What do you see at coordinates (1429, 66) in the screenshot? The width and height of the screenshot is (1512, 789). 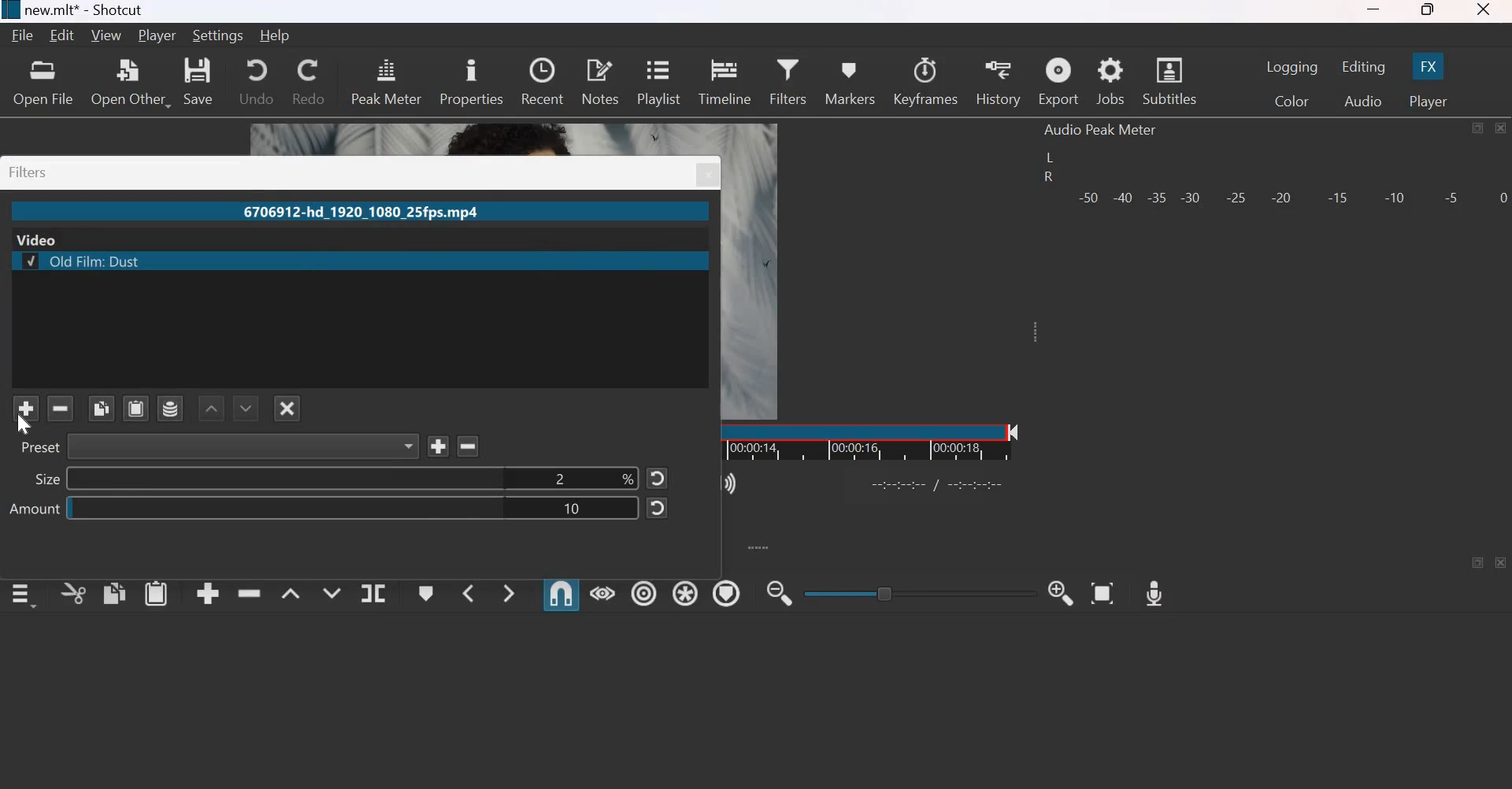 I see `FX` at bounding box center [1429, 66].